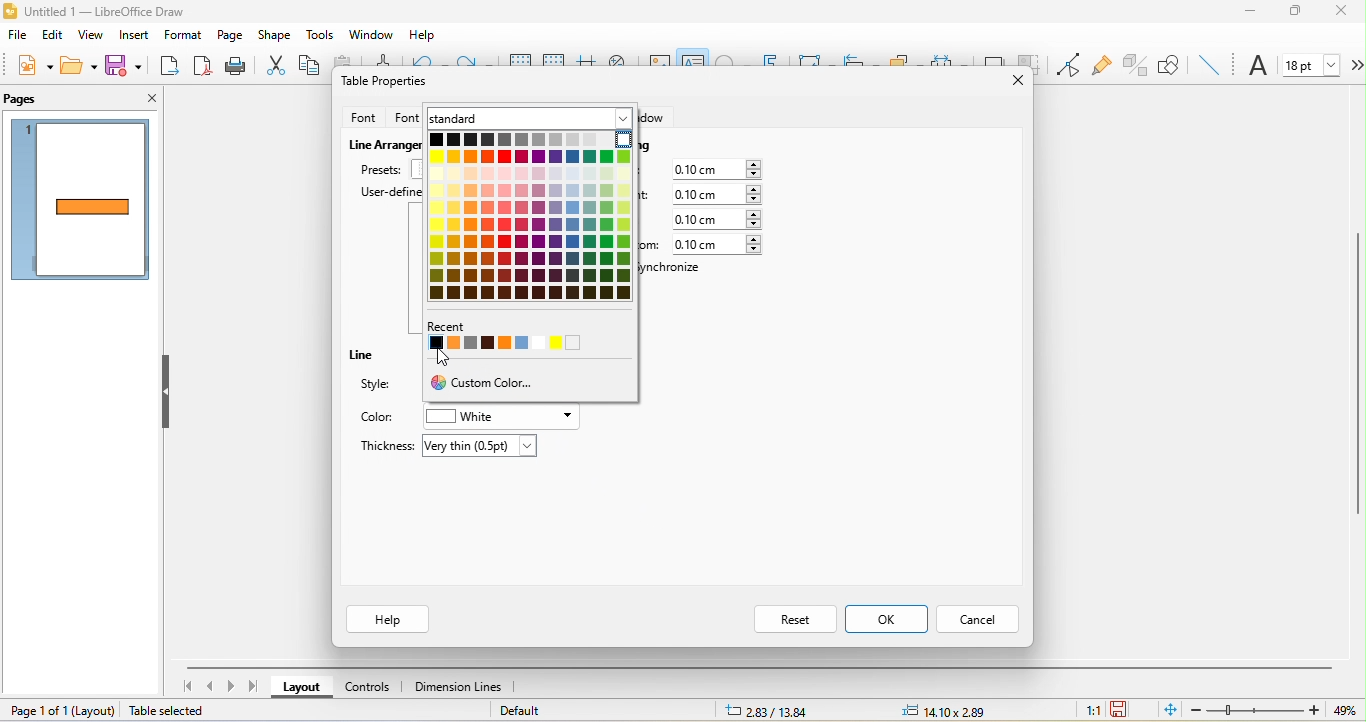  What do you see at coordinates (887, 619) in the screenshot?
I see `ok` at bounding box center [887, 619].